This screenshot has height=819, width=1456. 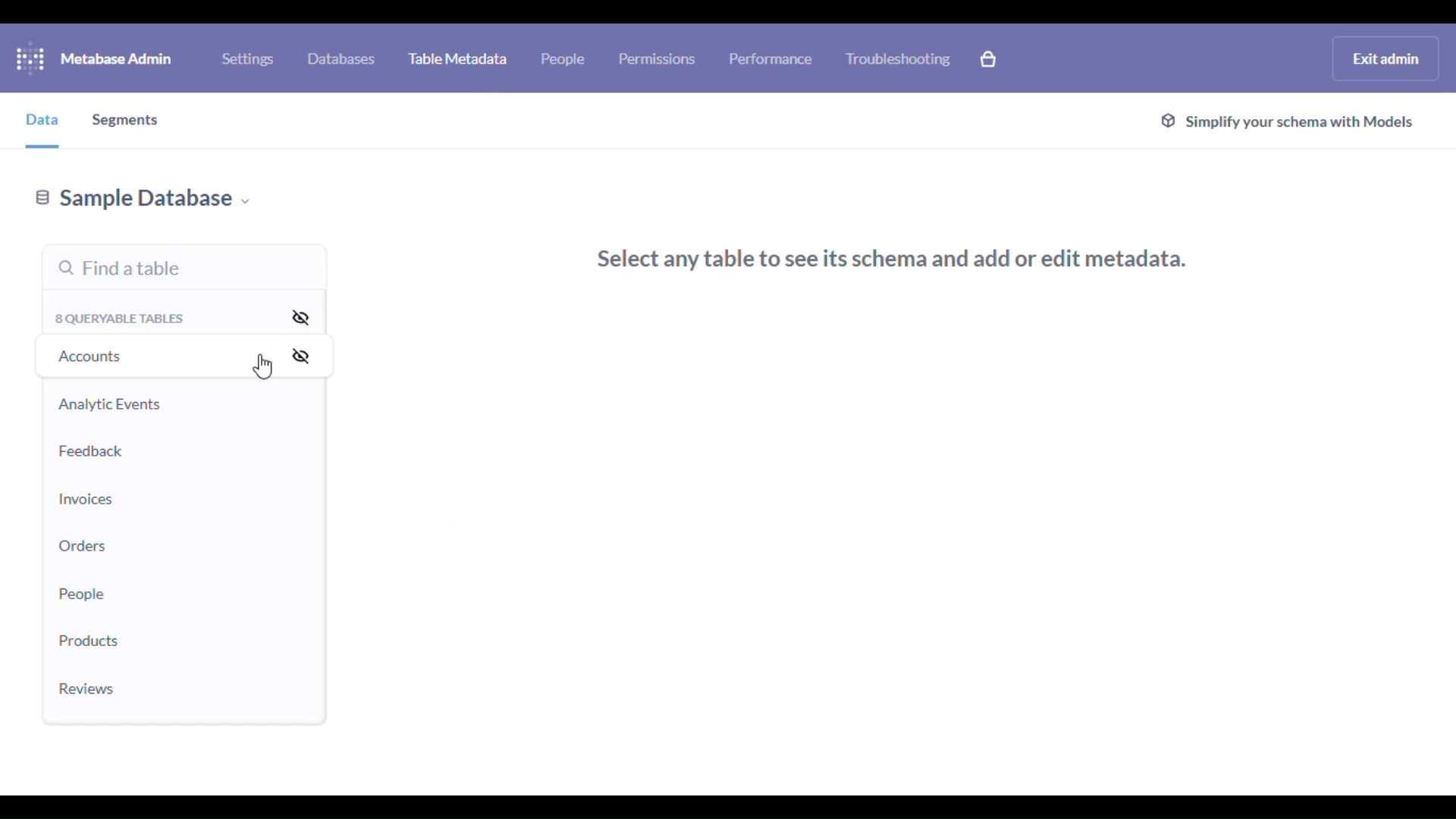 What do you see at coordinates (263, 366) in the screenshot?
I see `cursor` at bounding box center [263, 366].